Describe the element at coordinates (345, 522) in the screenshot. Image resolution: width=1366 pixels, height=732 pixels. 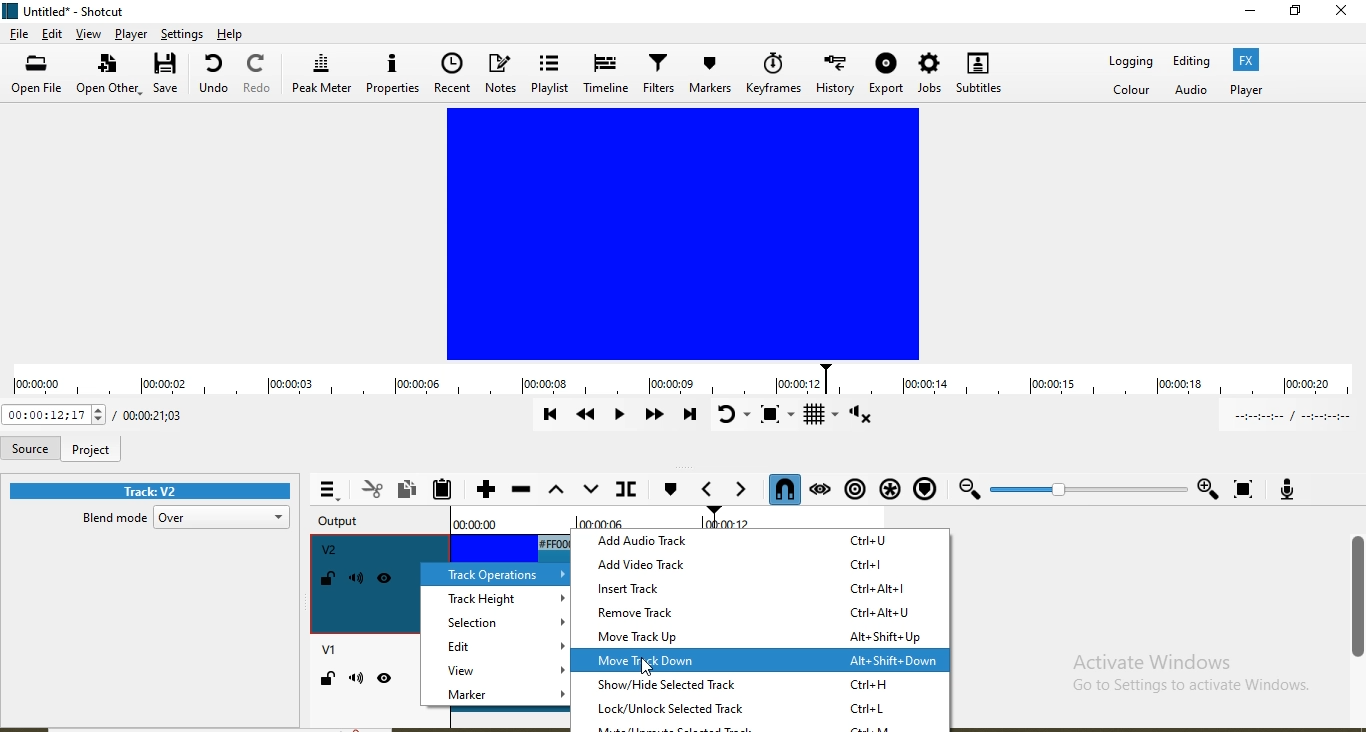
I see `Output` at that location.